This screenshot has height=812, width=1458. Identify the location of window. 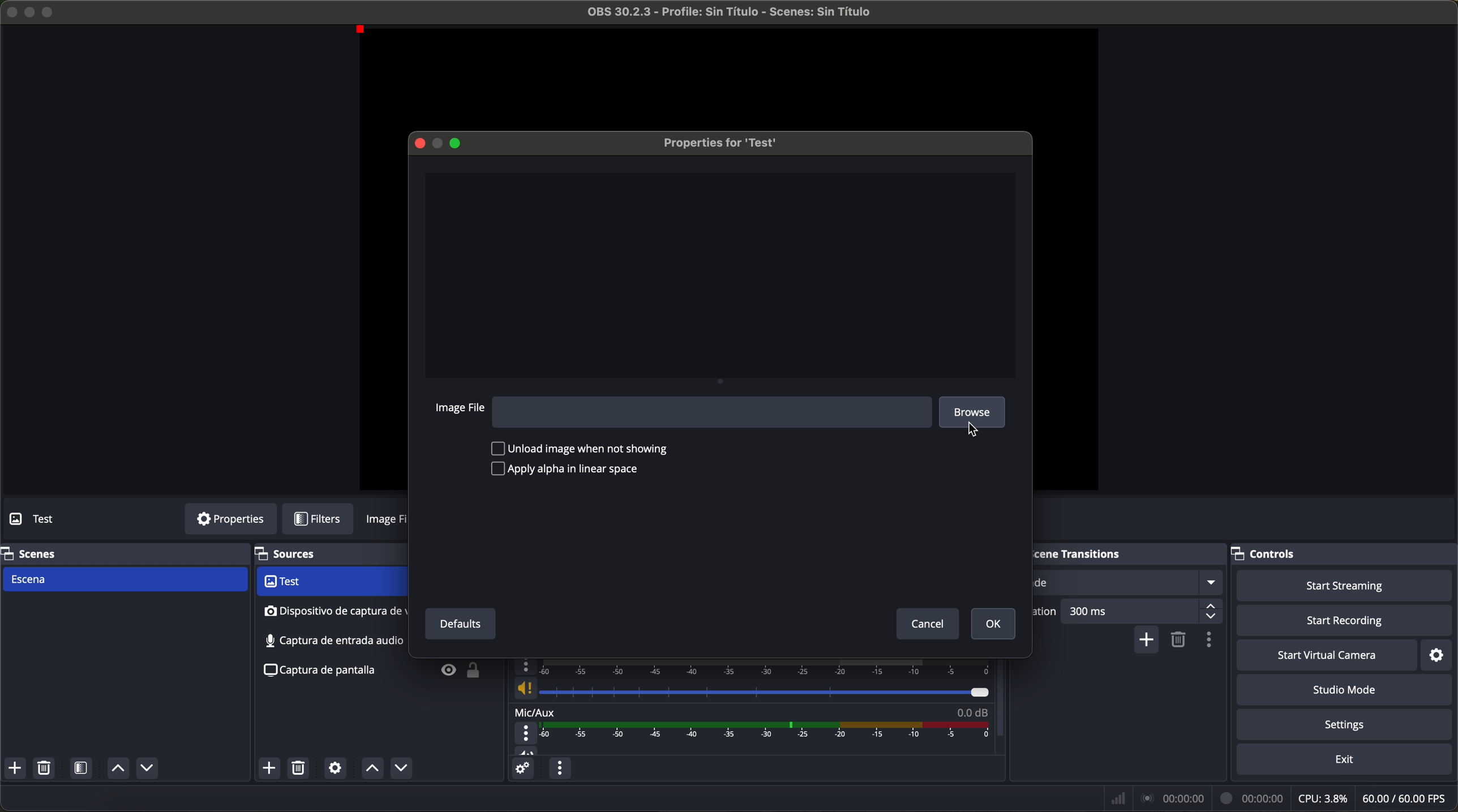
(722, 273).